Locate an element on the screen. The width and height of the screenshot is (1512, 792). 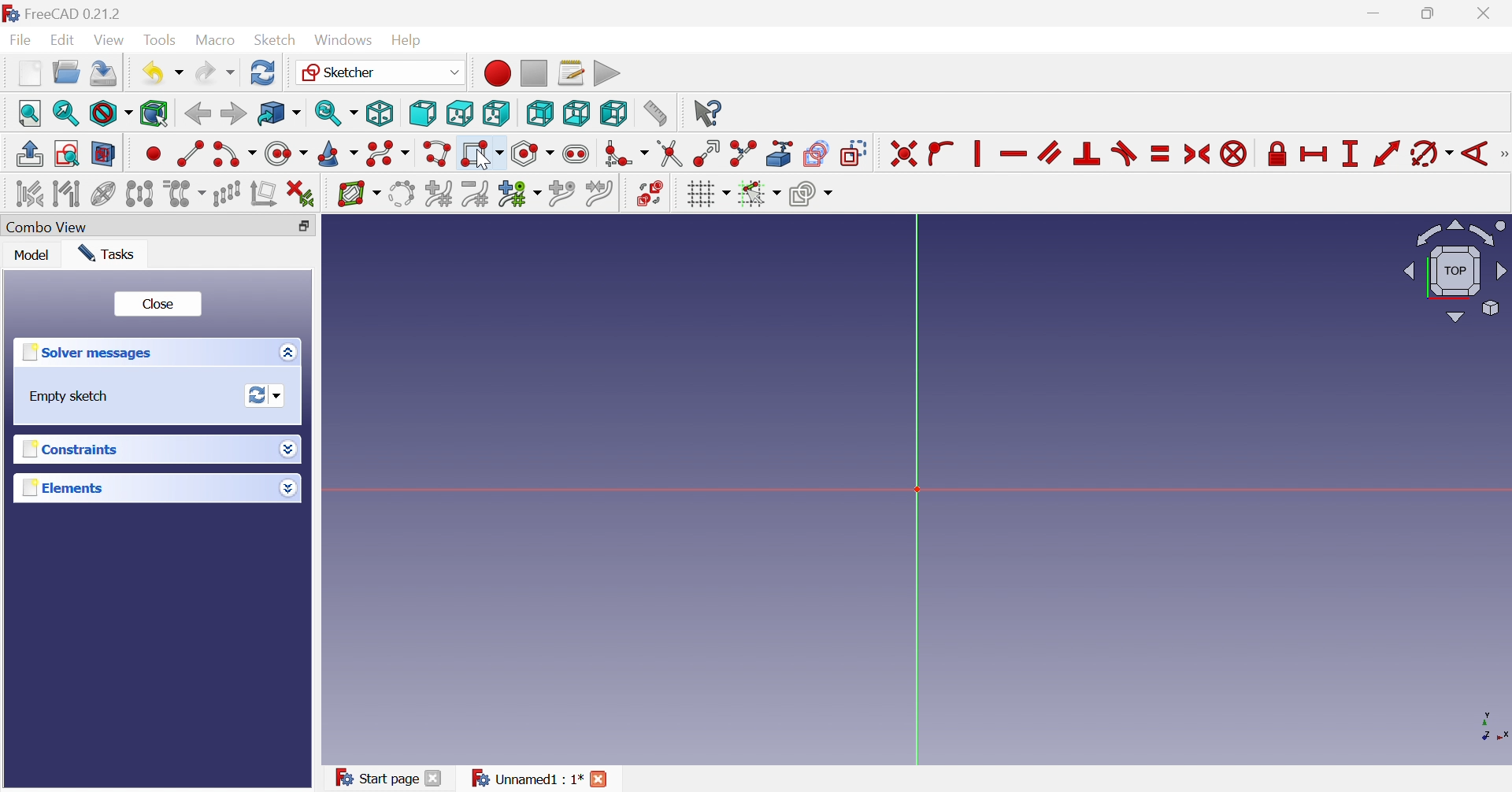
Restore Down is located at coordinates (1432, 15).